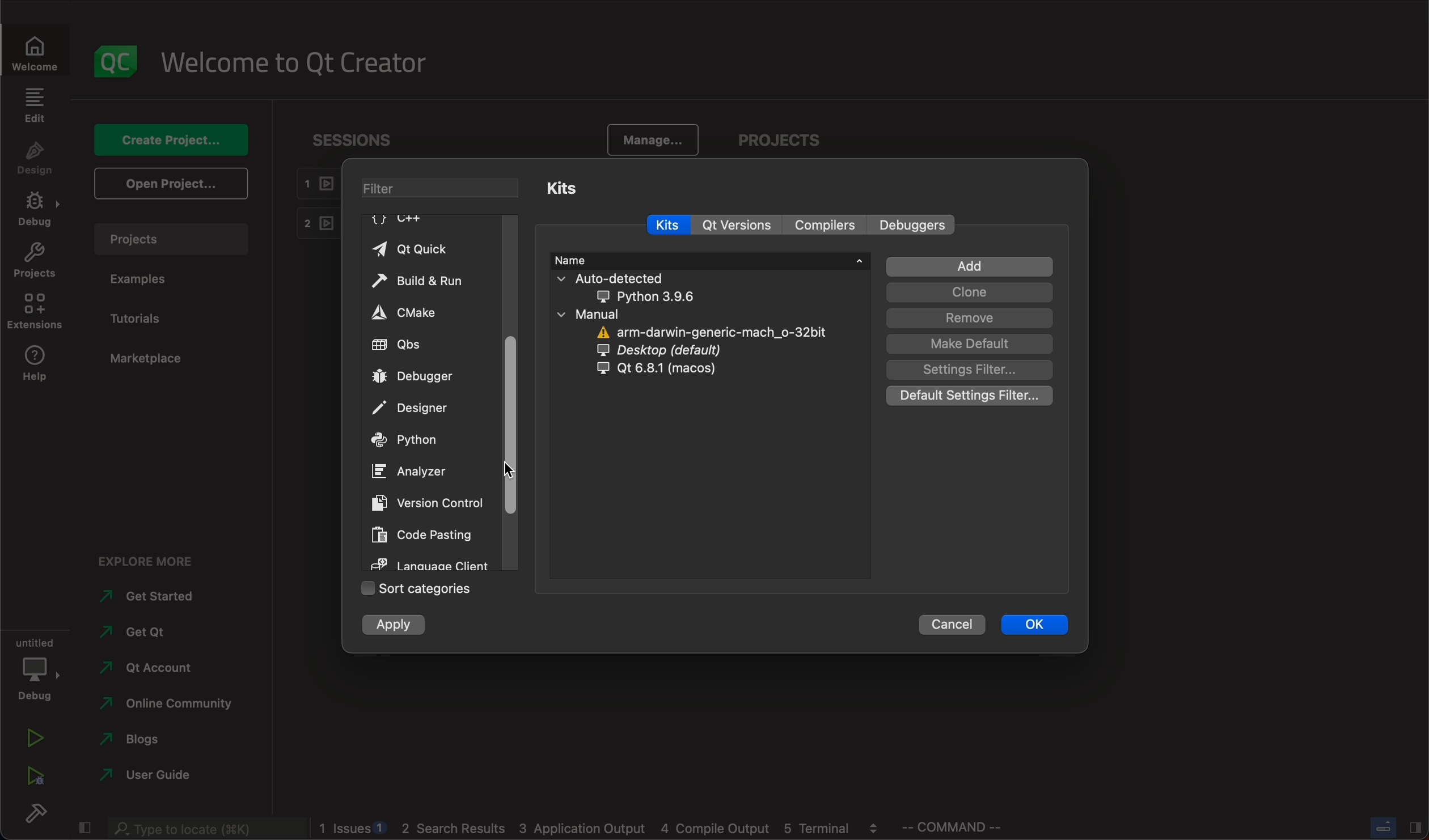 The width and height of the screenshot is (1429, 840). I want to click on debug, so click(36, 210).